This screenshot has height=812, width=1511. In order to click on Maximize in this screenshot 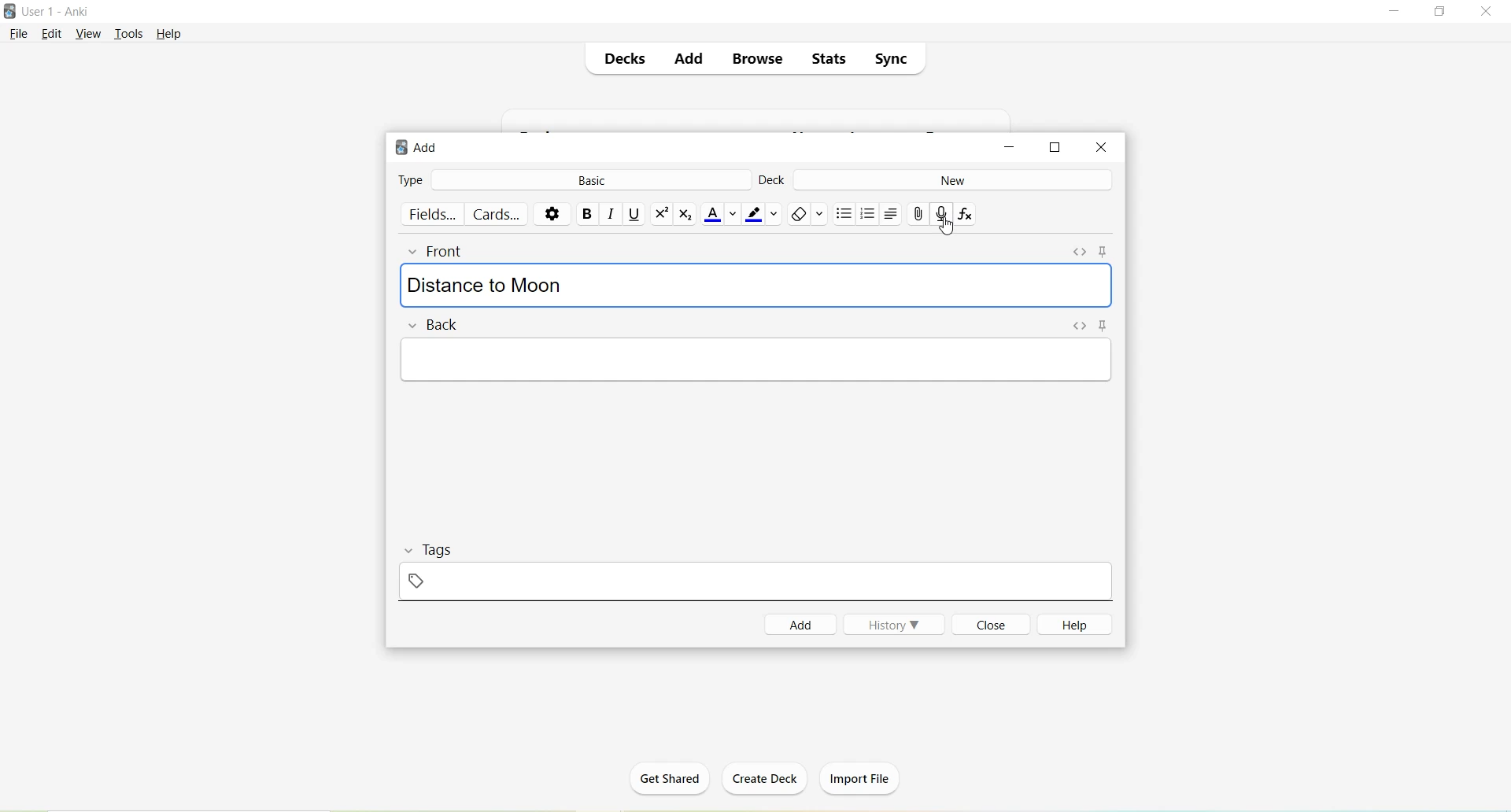, I will do `click(1440, 12)`.